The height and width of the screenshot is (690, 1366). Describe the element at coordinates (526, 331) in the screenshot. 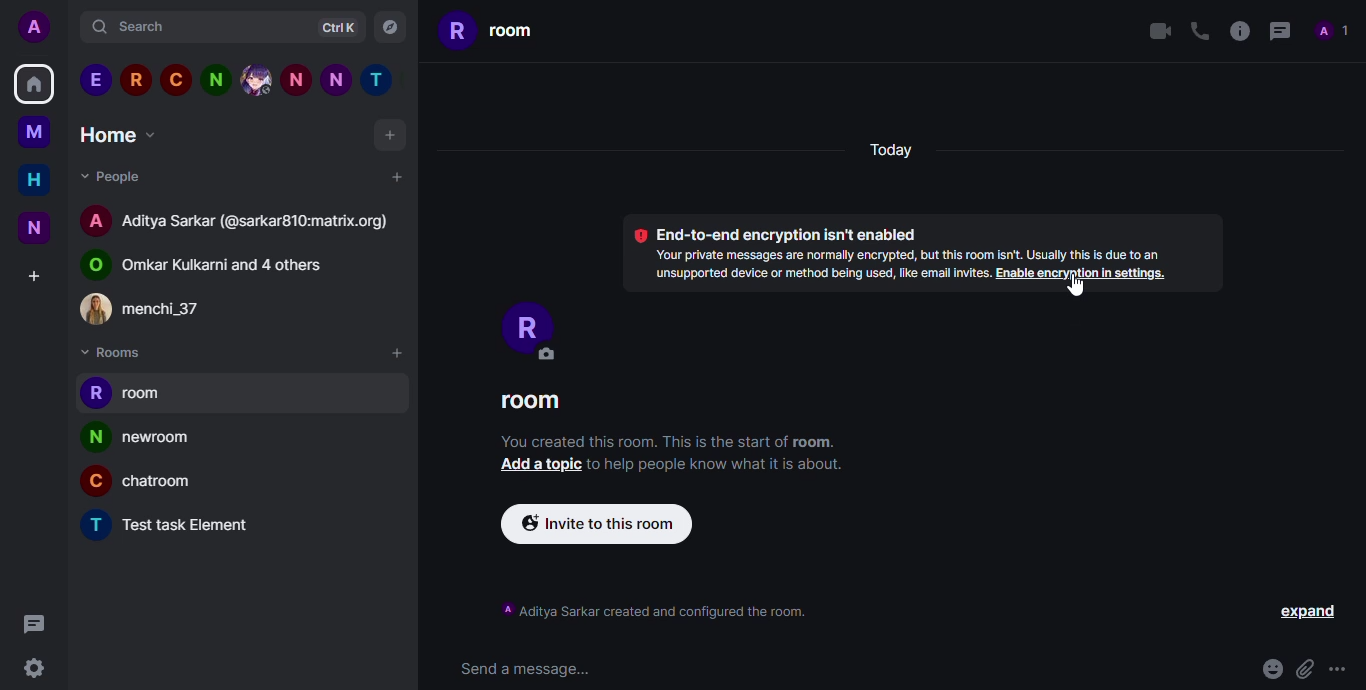

I see `profile pic` at that location.